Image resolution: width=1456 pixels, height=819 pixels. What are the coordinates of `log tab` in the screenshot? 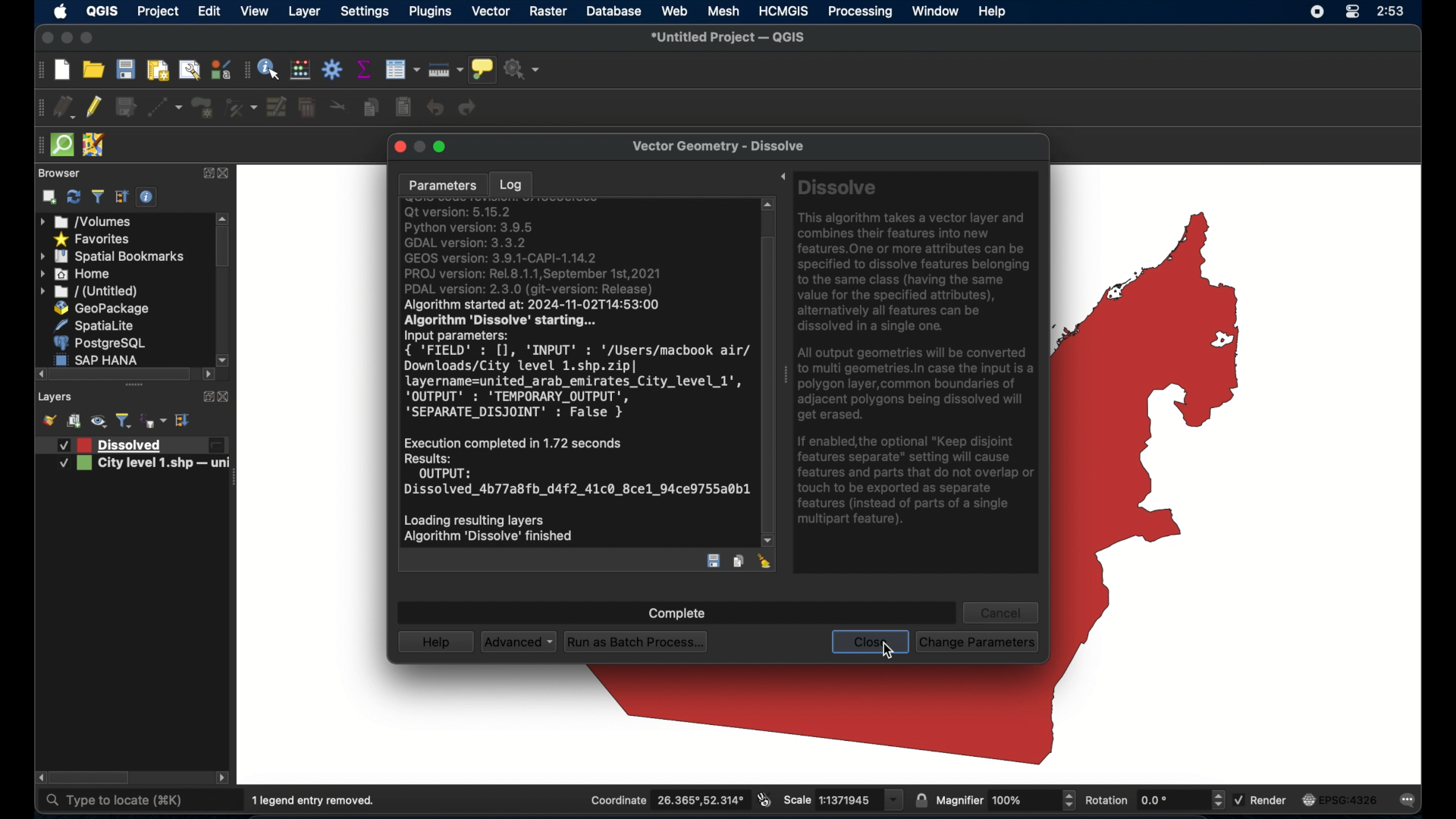 It's located at (510, 182).